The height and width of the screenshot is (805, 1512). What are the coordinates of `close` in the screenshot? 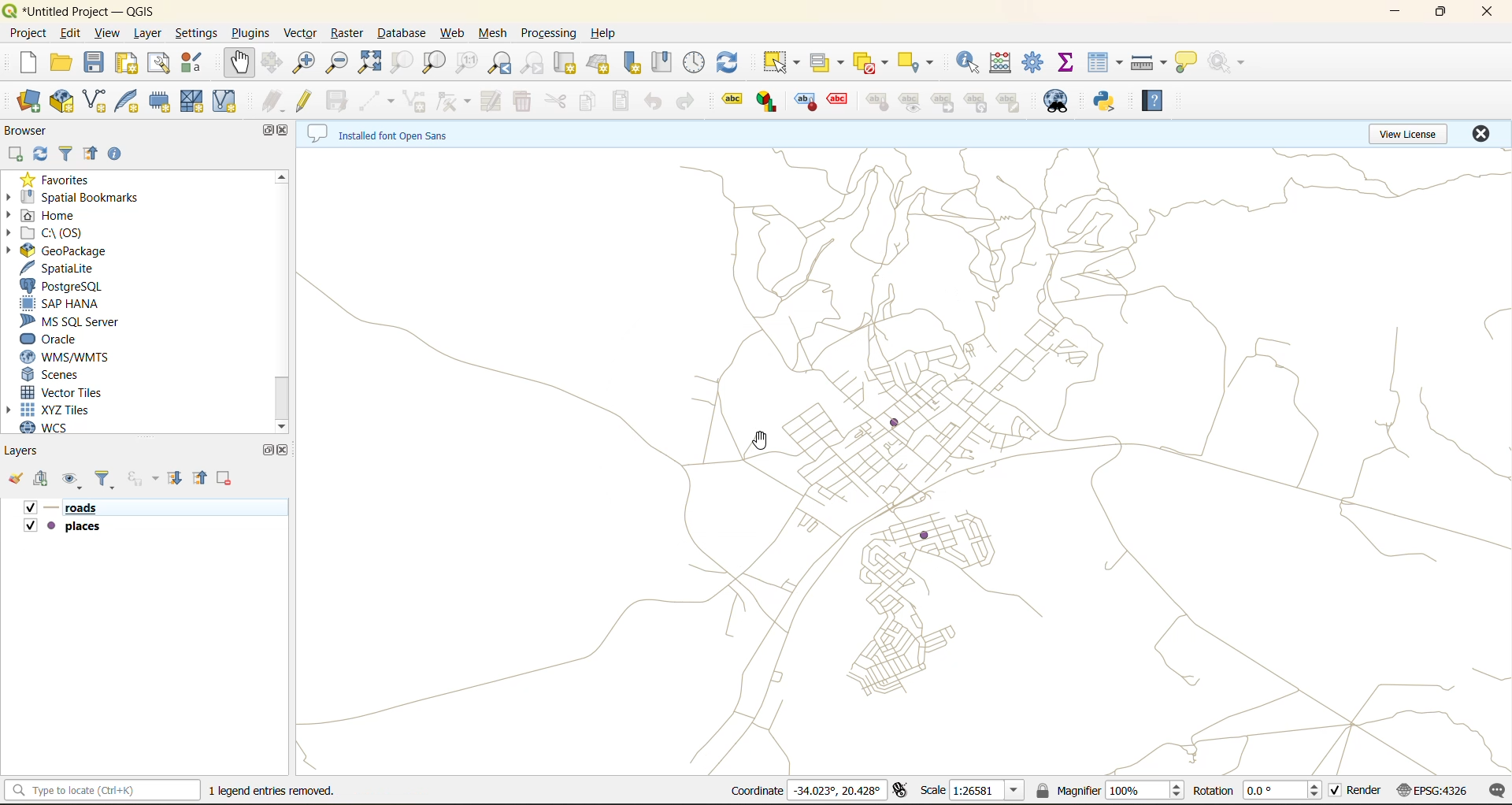 It's located at (286, 132).